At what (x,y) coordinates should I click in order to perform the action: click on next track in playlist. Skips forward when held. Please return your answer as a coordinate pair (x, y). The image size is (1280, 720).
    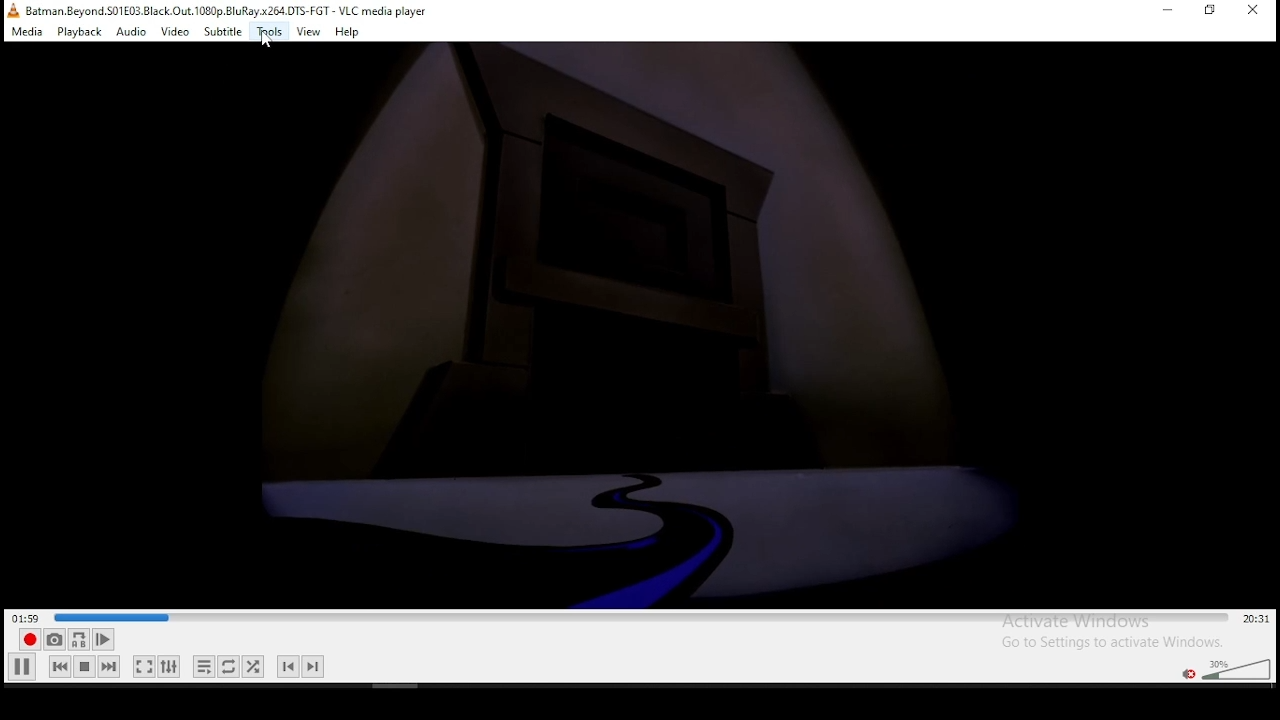
    Looking at the image, I should click on (108, 666).